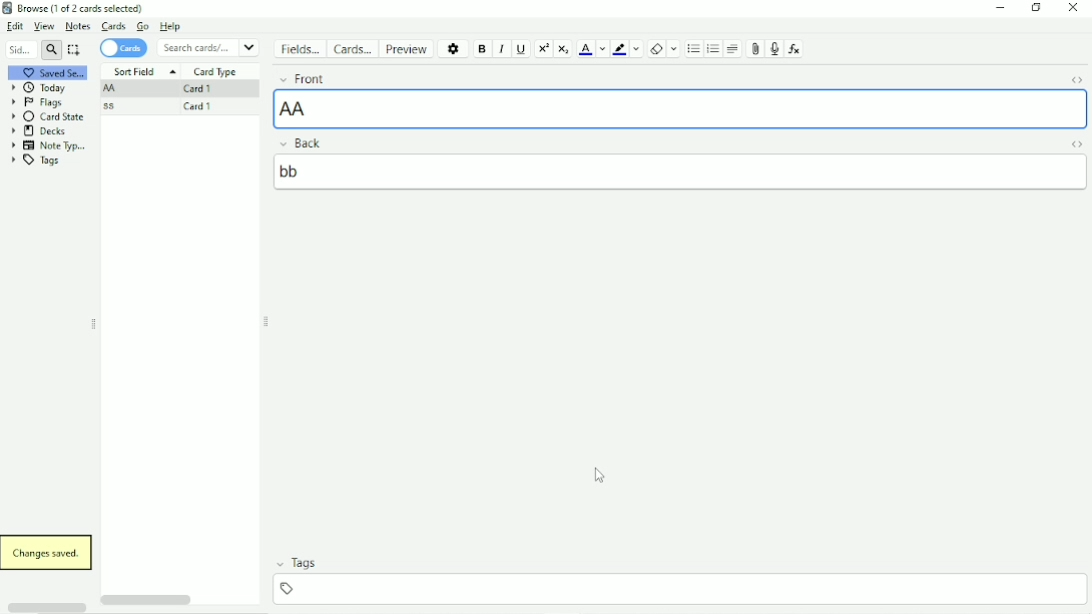  Describe the element at coordinates (57, 72) in the screenshot. I see `Saved Search` at that location.